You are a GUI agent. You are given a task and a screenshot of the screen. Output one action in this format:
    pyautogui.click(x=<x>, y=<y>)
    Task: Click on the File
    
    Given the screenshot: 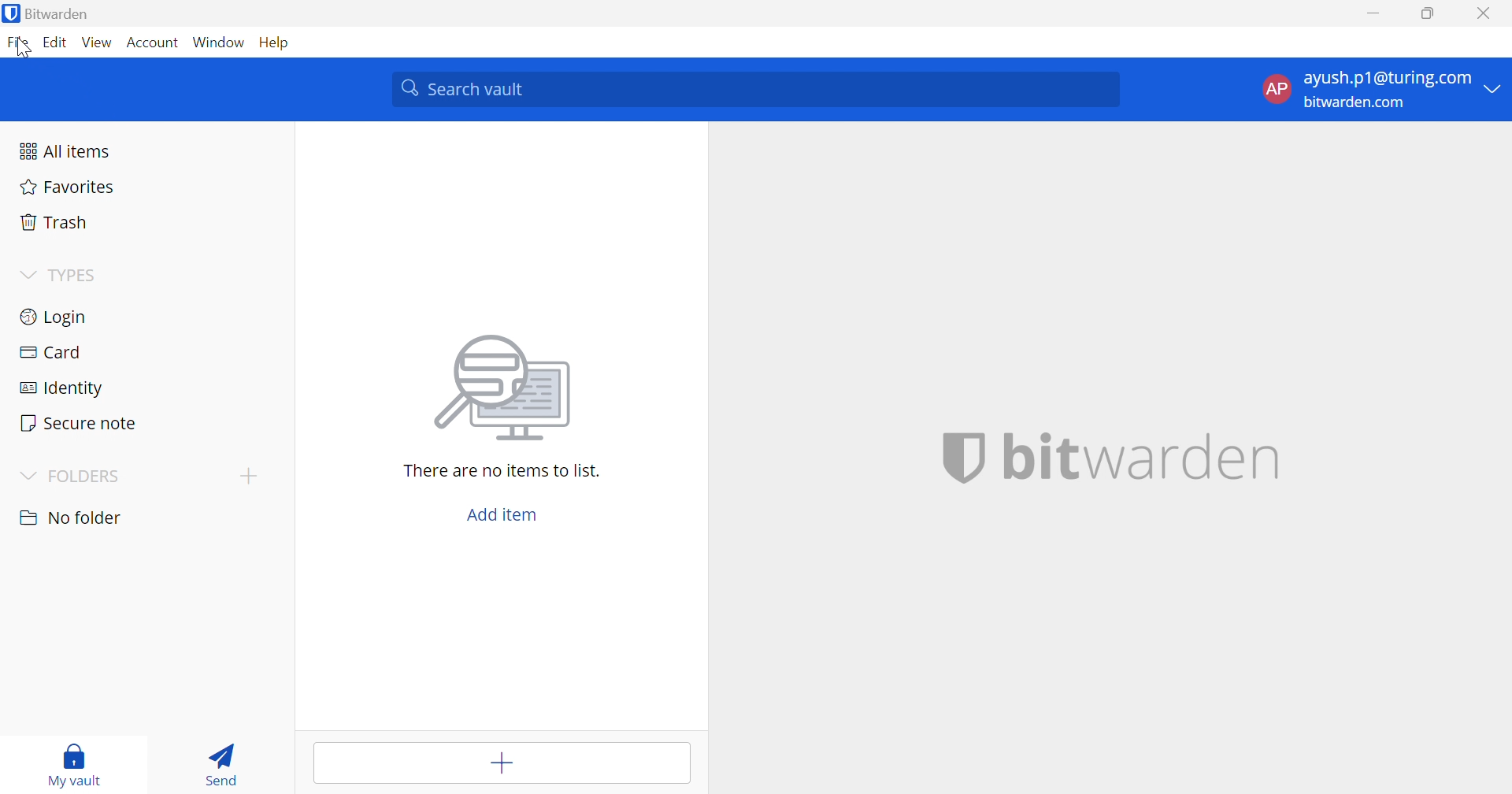 What is the action you would take?
    pyautogui.click(x=17, y=43)
    